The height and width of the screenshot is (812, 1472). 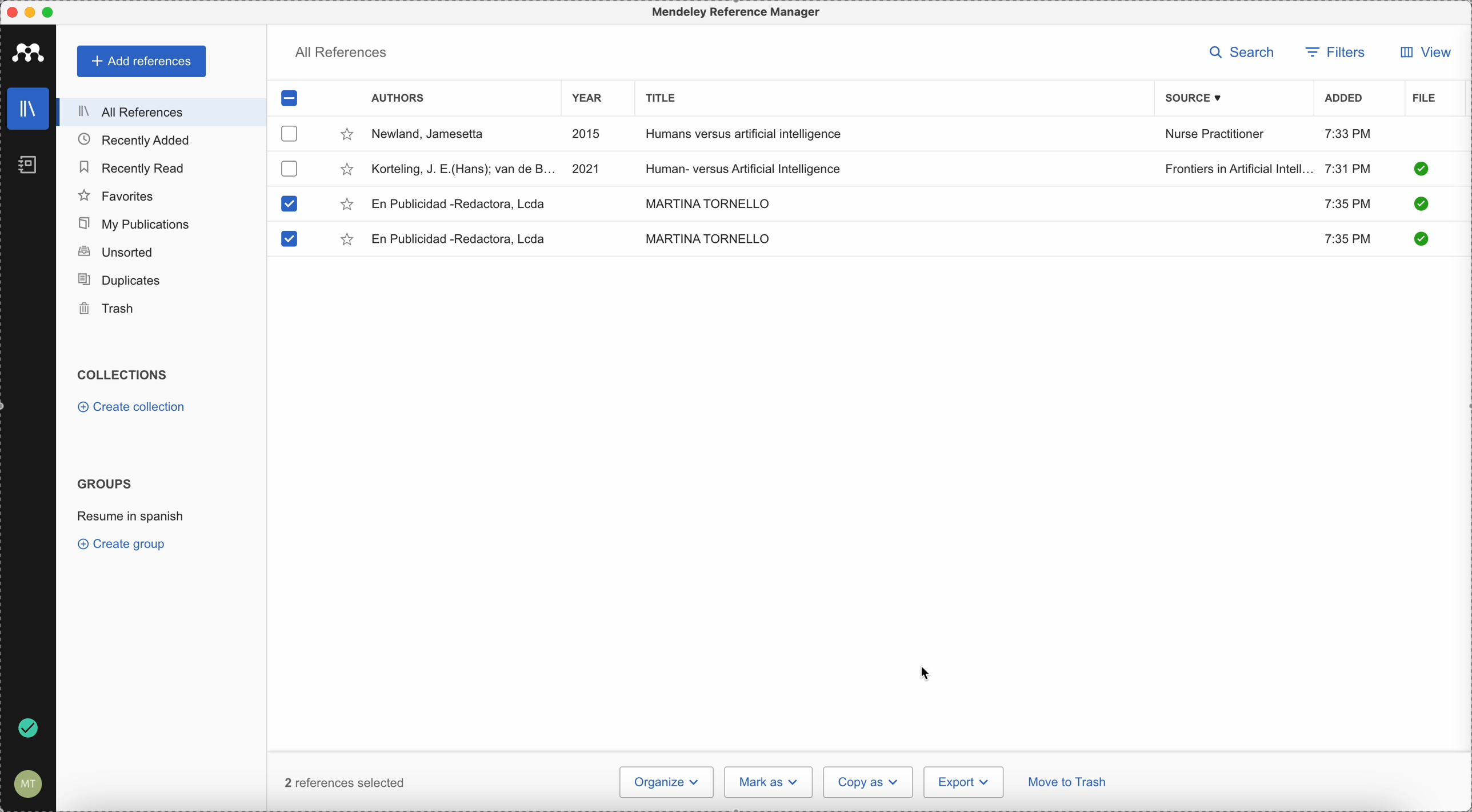 I want to click on 2015, so click(x=589, y=135).